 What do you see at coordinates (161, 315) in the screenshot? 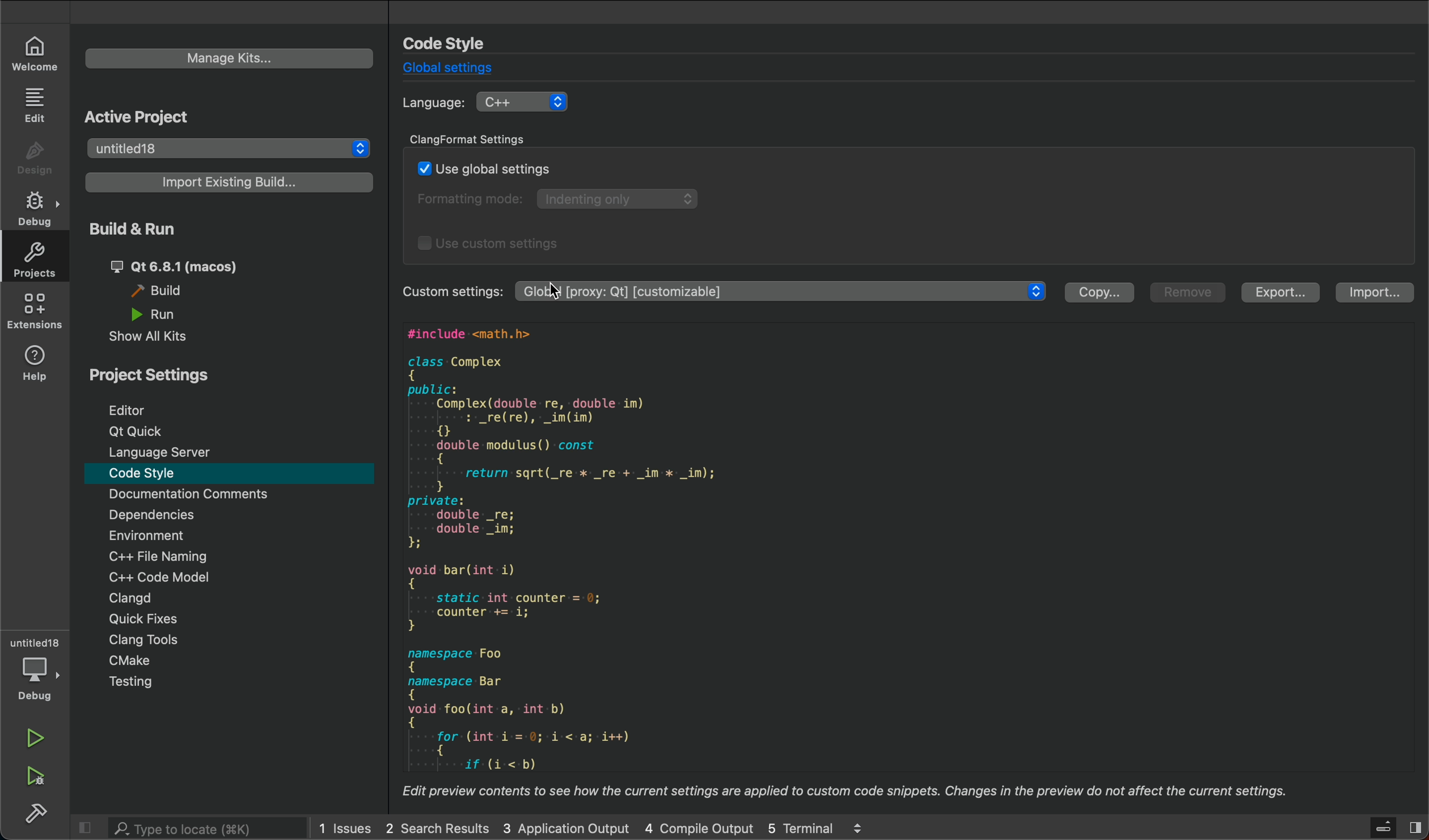
I see `run` at bounding box center [161, 315].